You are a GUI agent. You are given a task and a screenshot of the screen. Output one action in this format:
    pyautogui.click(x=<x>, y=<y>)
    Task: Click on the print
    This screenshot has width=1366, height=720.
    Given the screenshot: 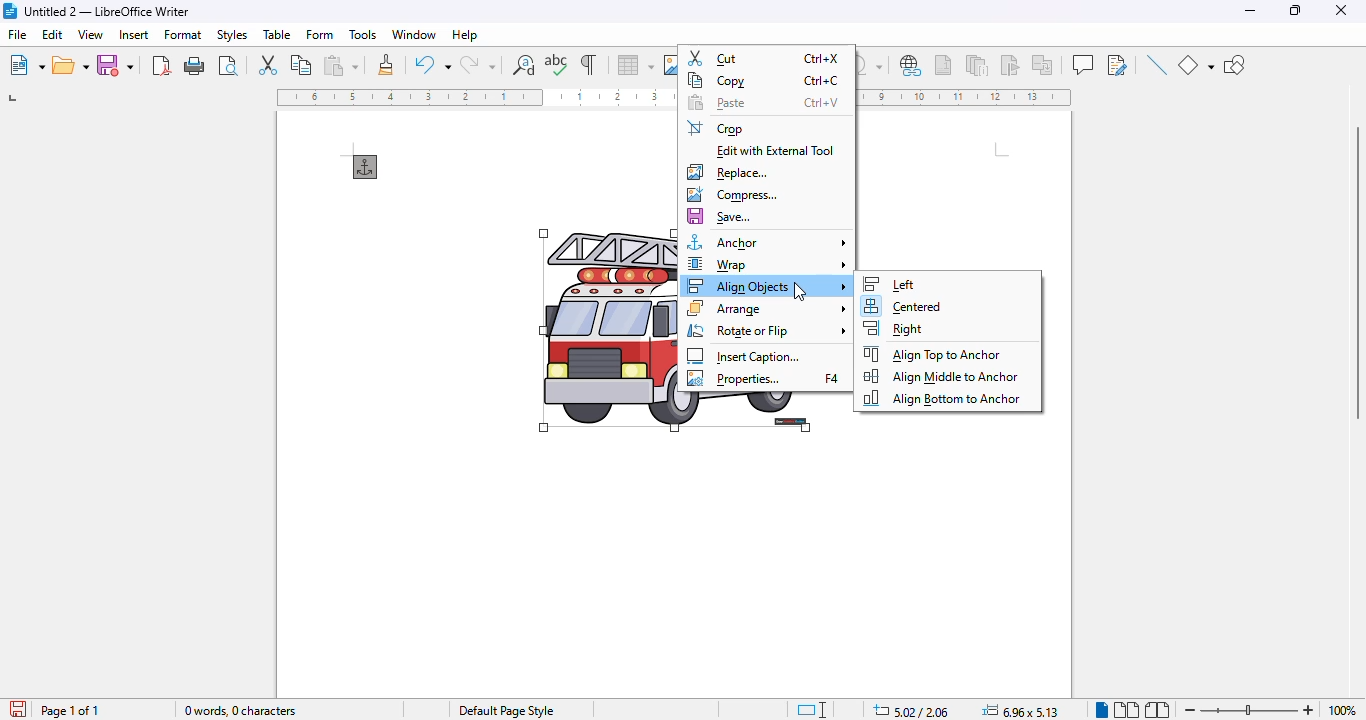 What is the action you would take?
    pyautogui.click(x=195, y=66)
    